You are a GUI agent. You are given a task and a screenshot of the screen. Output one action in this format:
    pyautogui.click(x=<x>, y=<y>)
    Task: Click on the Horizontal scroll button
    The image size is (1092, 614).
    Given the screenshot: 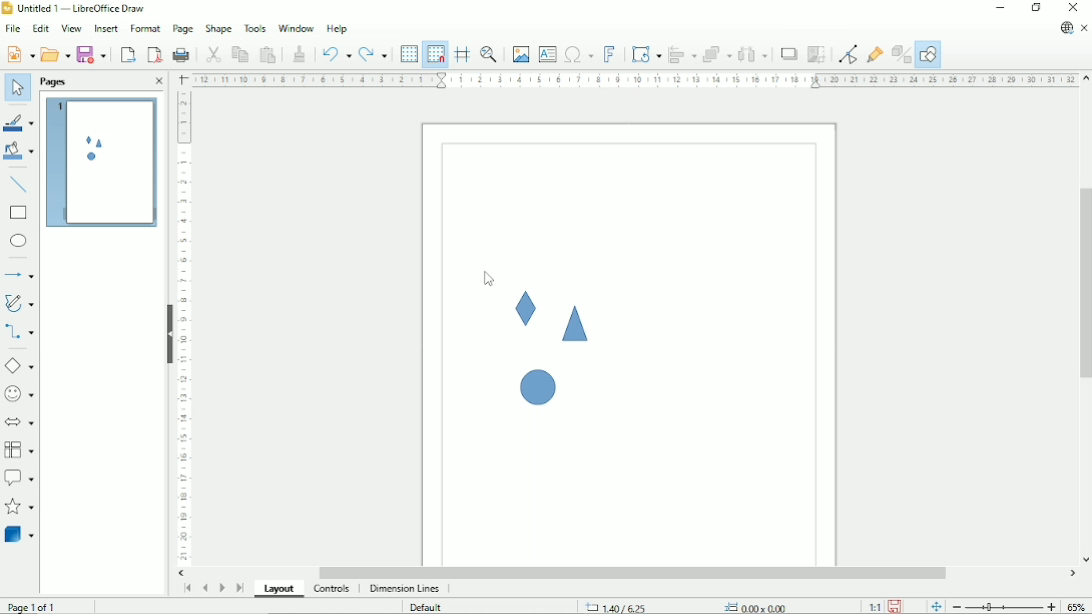 What is the action you would take?
    pyautogui.click(x=179, y=573)
    